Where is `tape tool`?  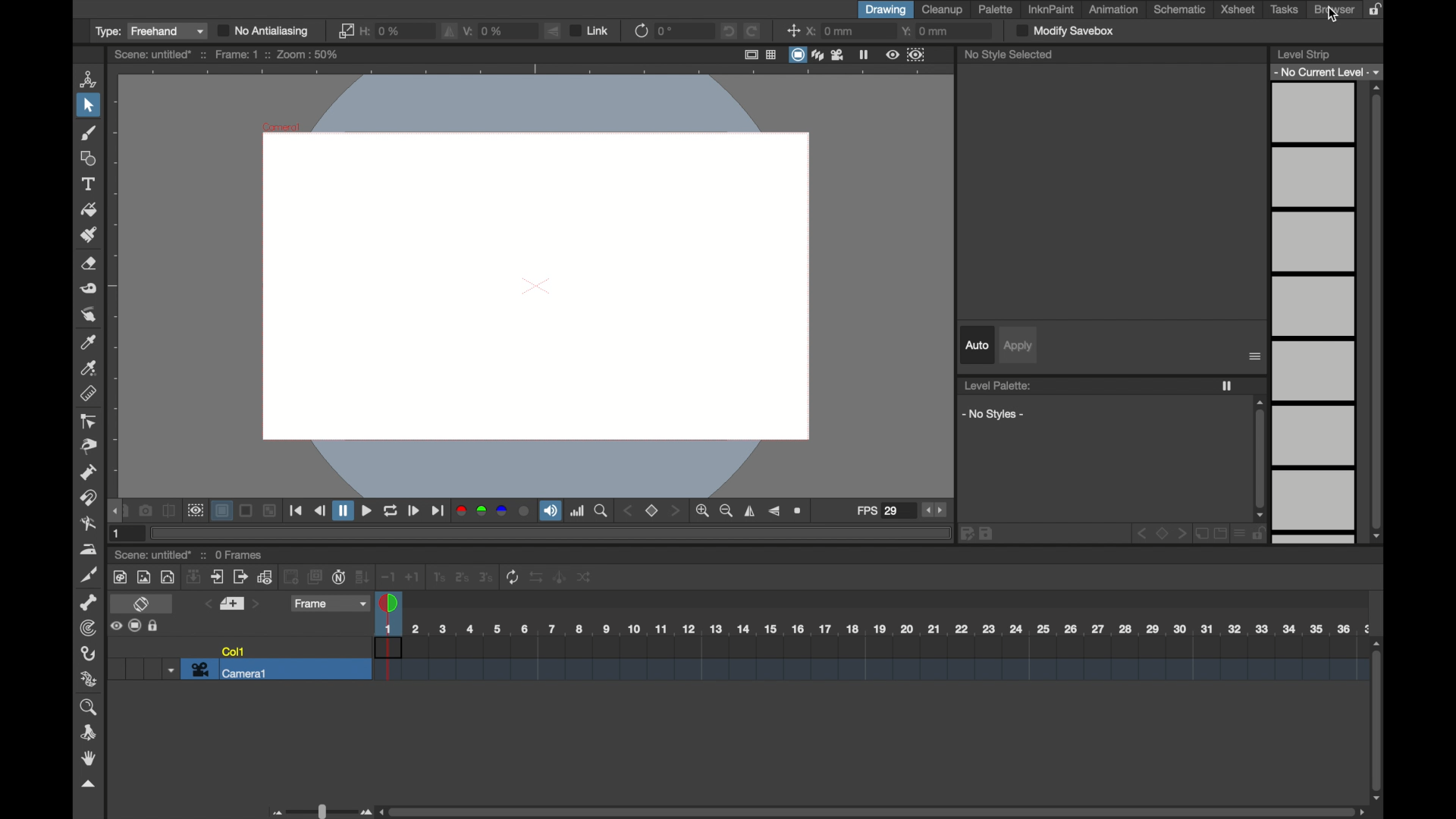 tape tool is located at coordinates (90, 289).